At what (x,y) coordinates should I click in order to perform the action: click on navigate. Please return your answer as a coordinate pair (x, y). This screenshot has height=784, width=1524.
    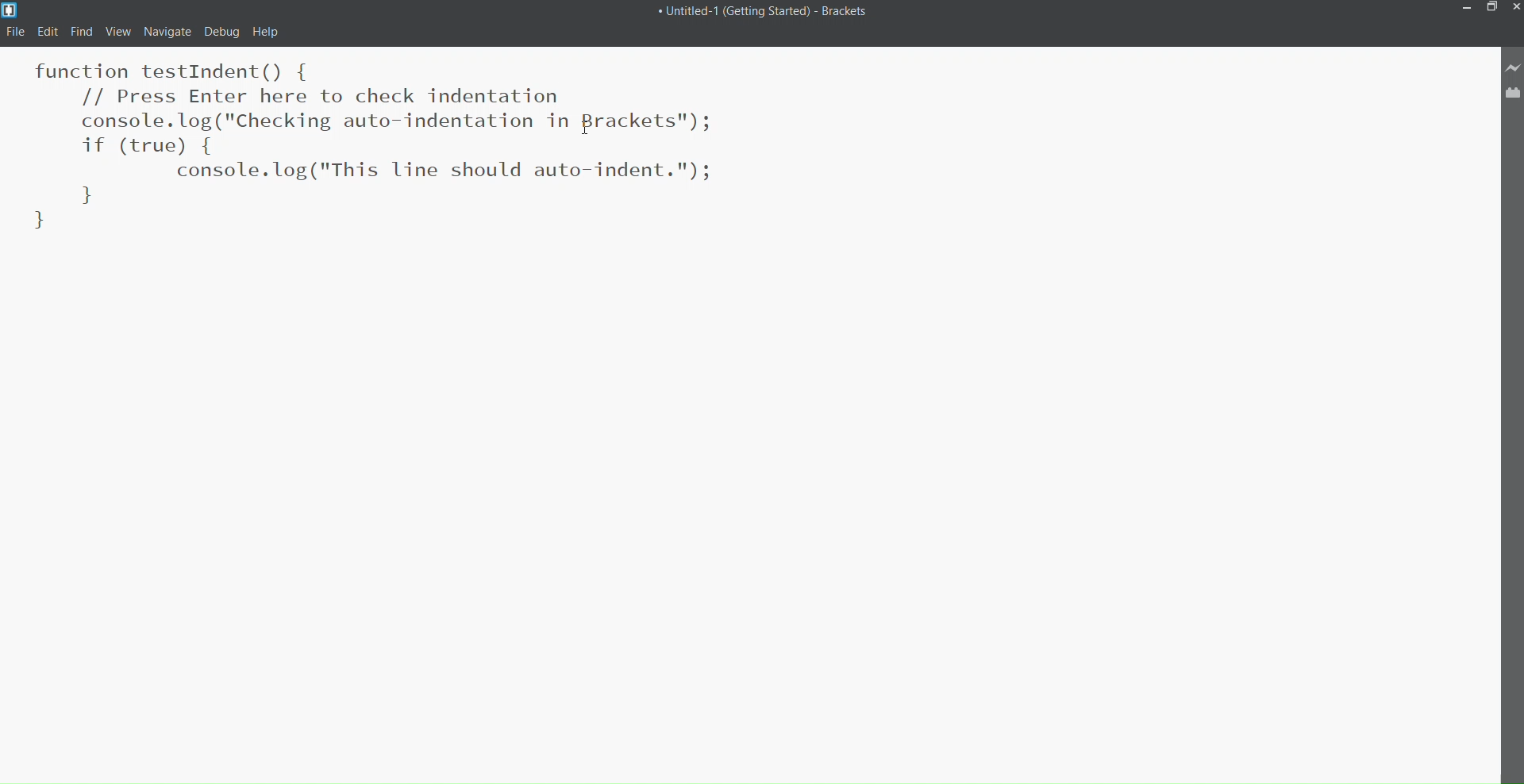
    Looking at the image, I should click on (167, 31).